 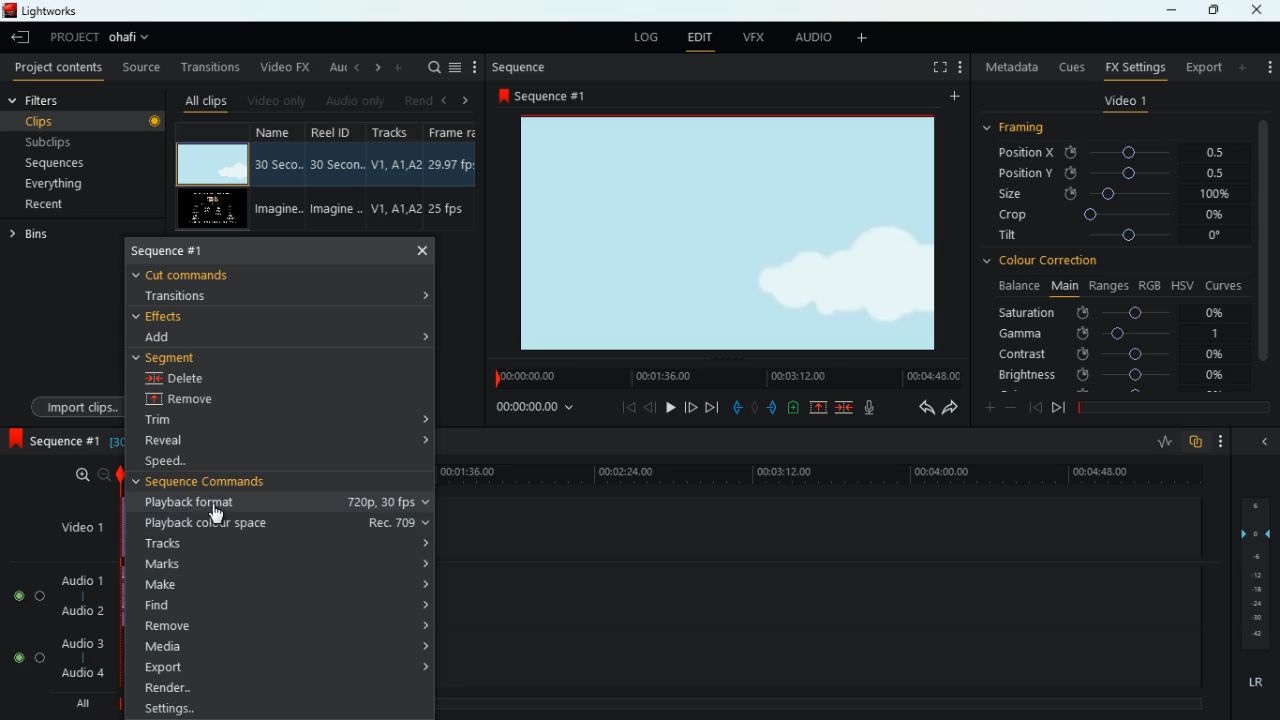 I want to click on lightworks, so click(x=44, y=12).